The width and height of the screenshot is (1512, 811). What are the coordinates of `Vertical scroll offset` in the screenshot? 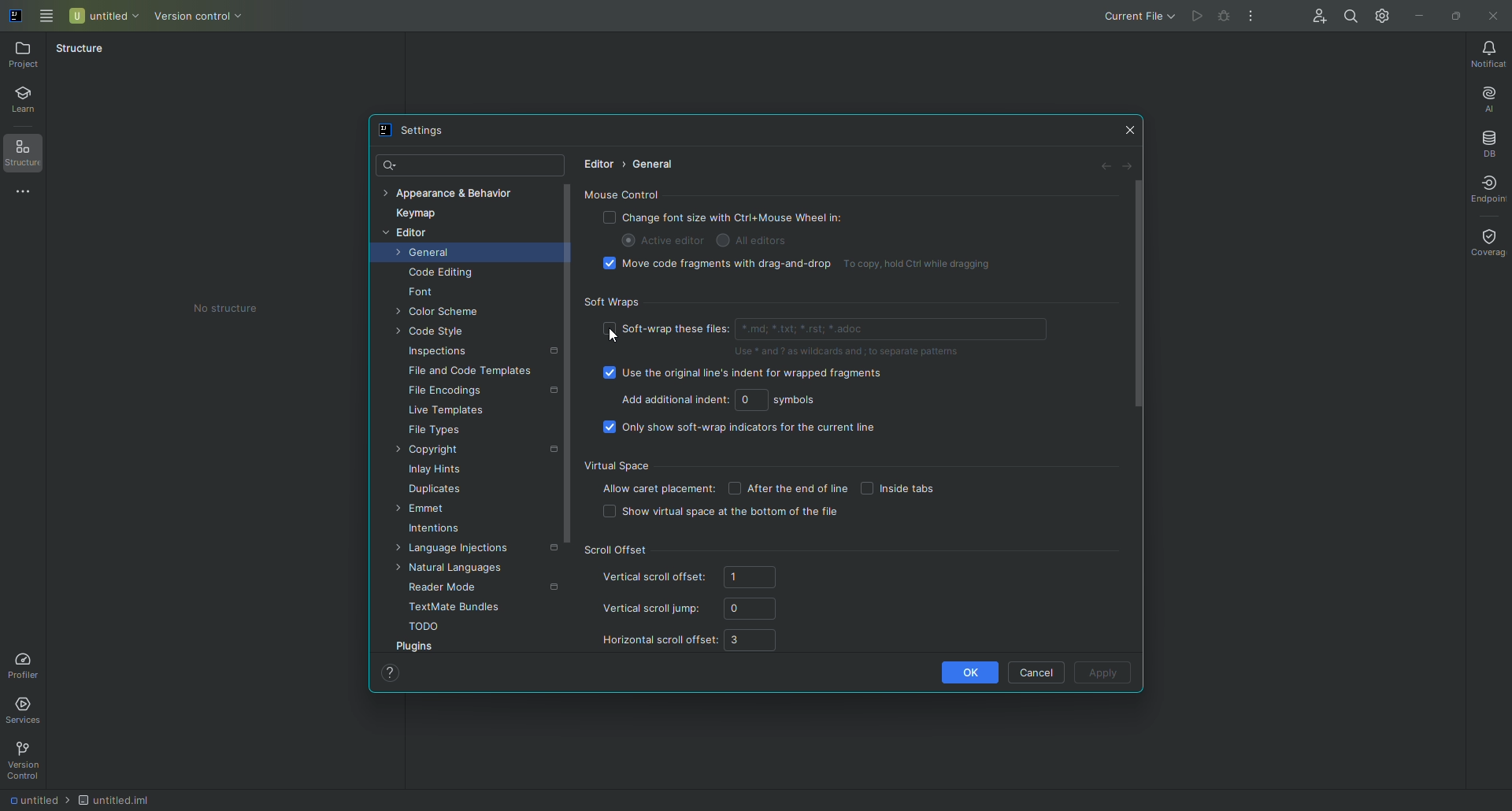 It's located at (697, 580).